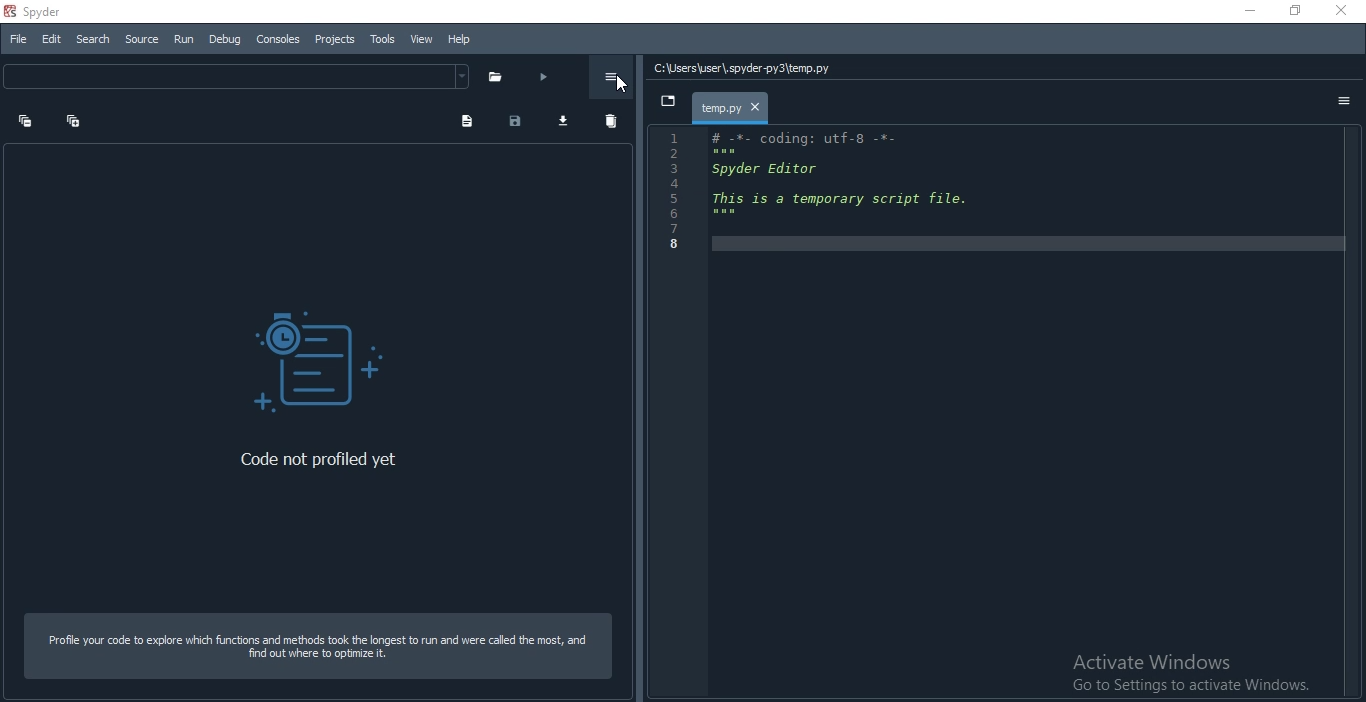 This screenshot has height=702, width=1366. What do you see at coordinates (381, 39) in the screenshot?
I see `Tools` at bounding box center [381, 39].